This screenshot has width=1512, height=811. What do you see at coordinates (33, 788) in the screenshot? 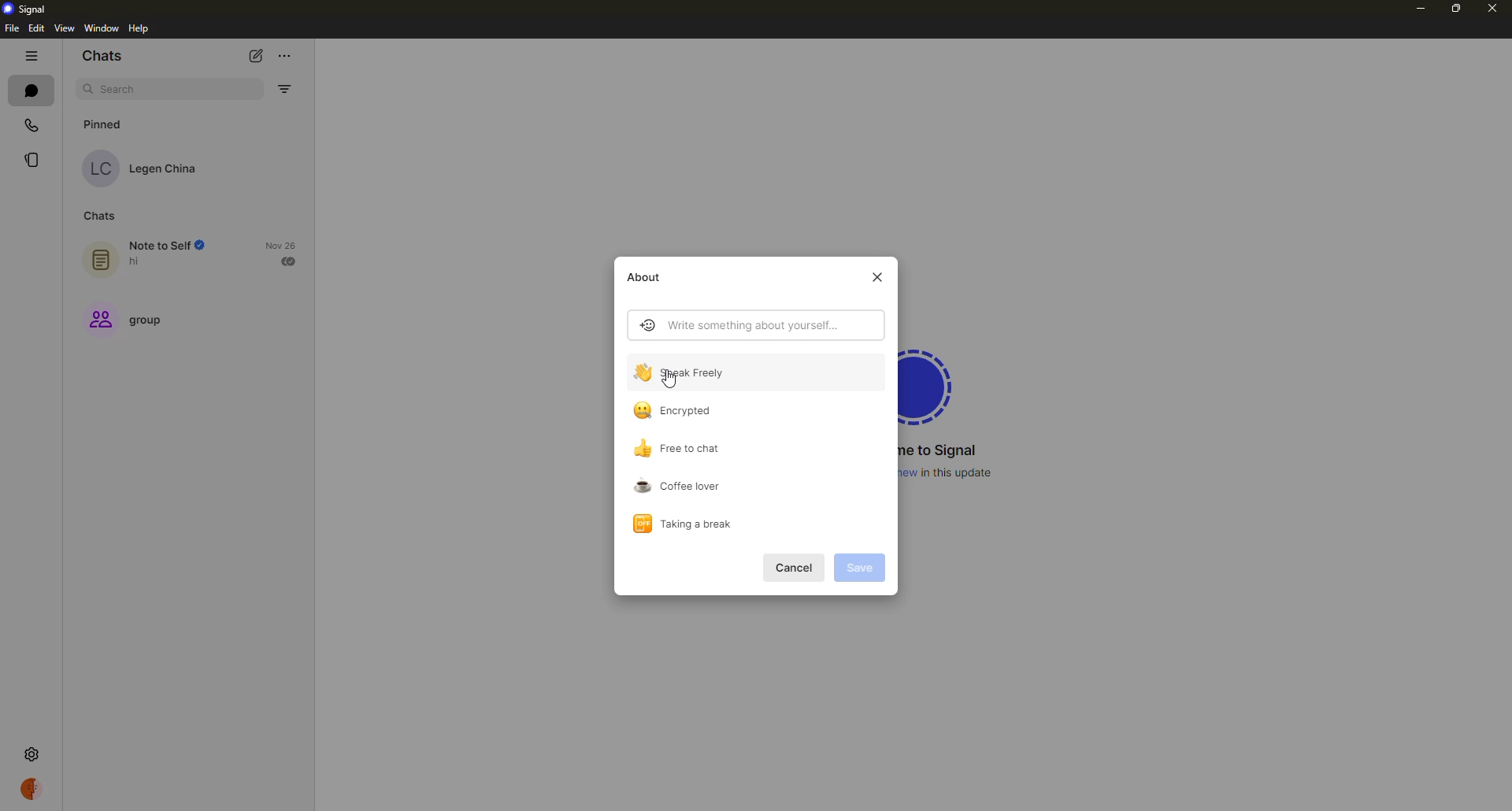
I see `profile` at bounding box center [33, 788].